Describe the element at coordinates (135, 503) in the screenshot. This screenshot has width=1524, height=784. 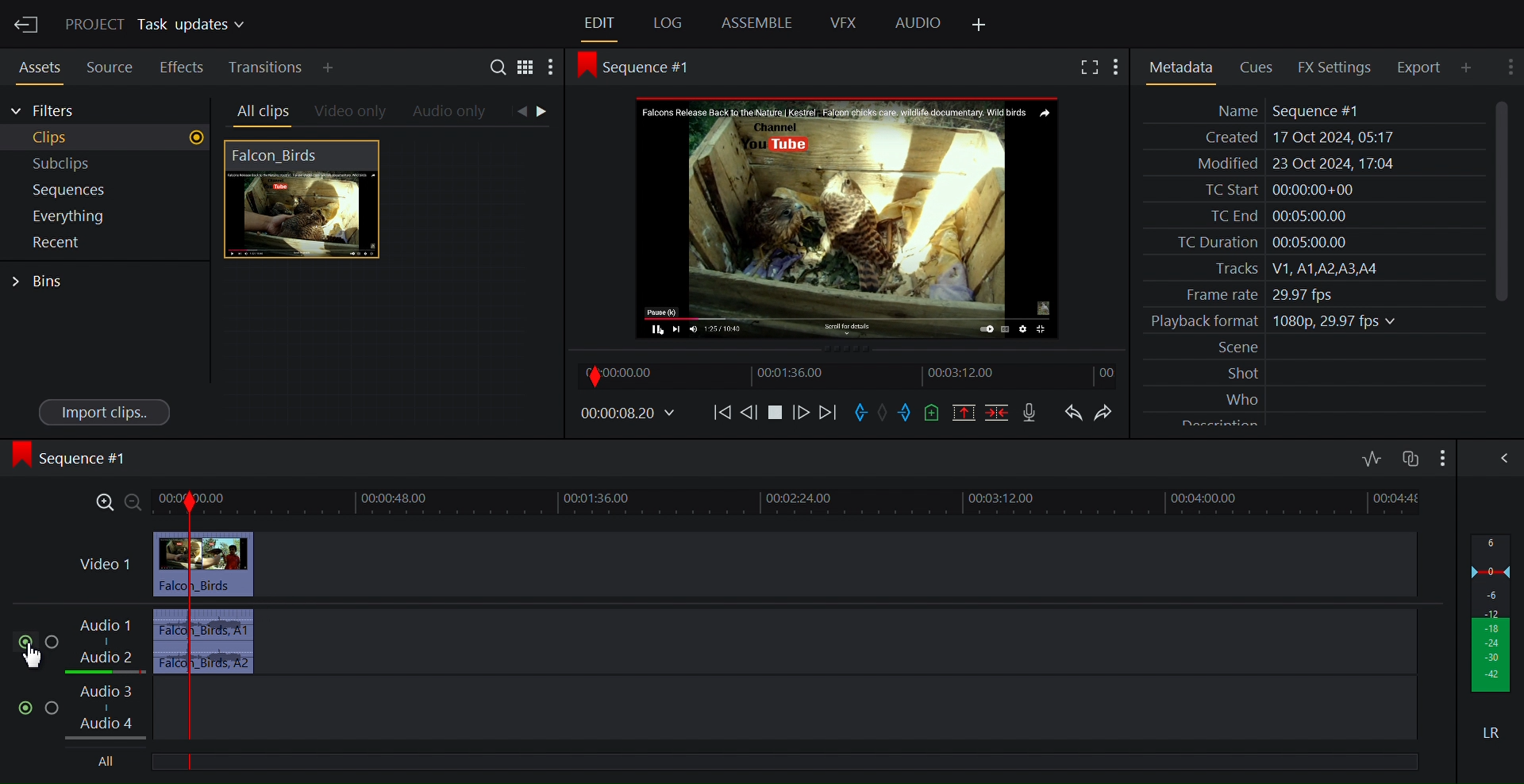
I see `zoom out` at that location.